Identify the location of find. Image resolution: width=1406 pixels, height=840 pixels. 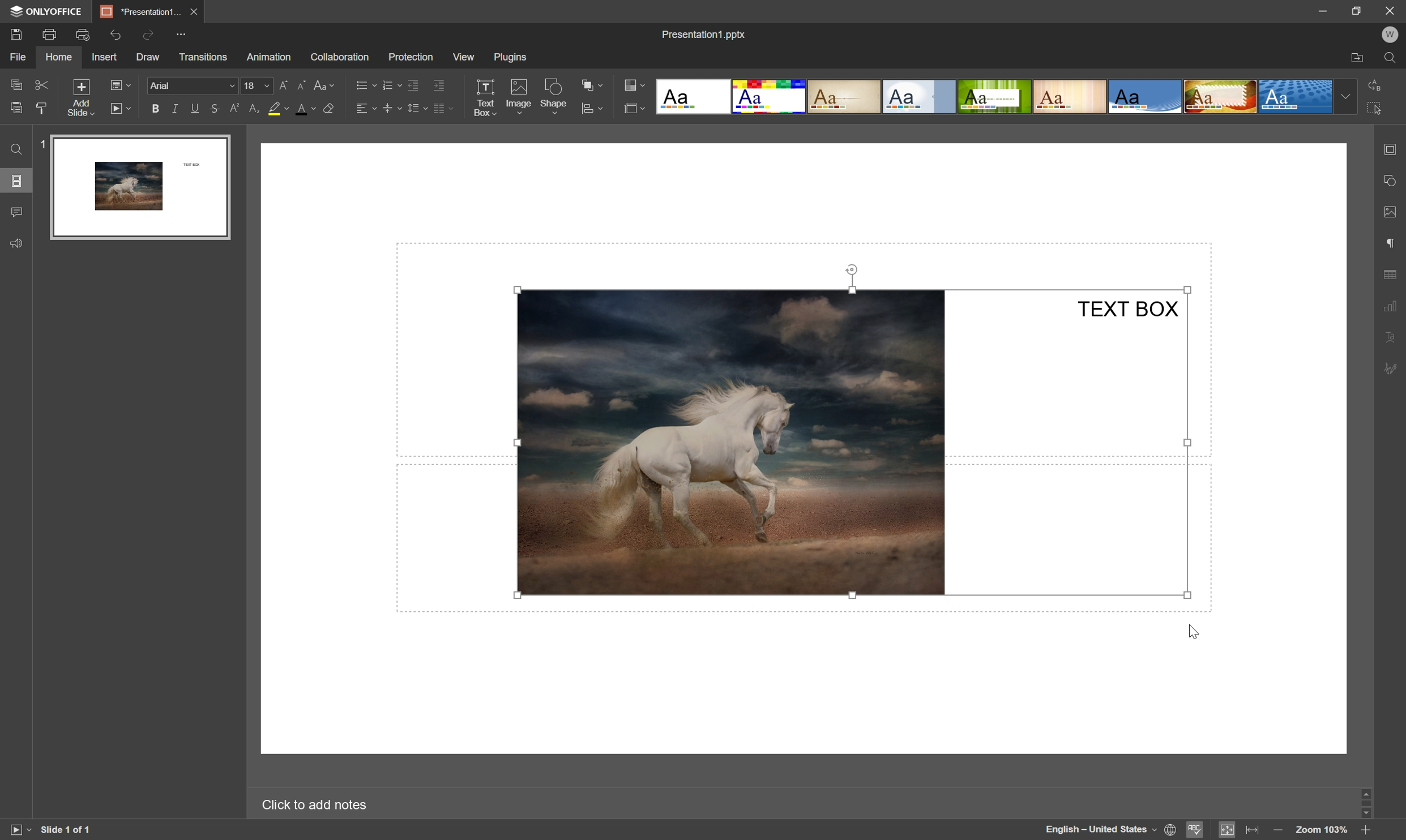
(15, 149).